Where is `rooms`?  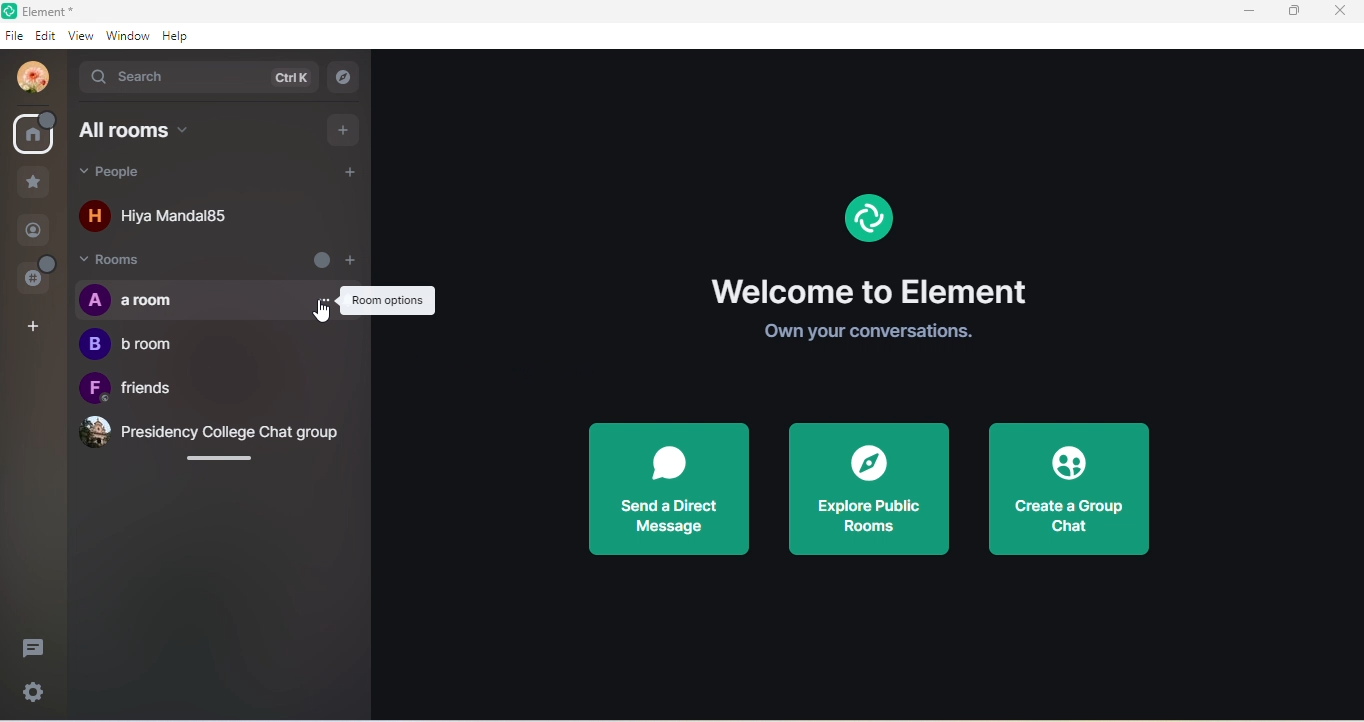
rooms is located at coordinates (36, 135).